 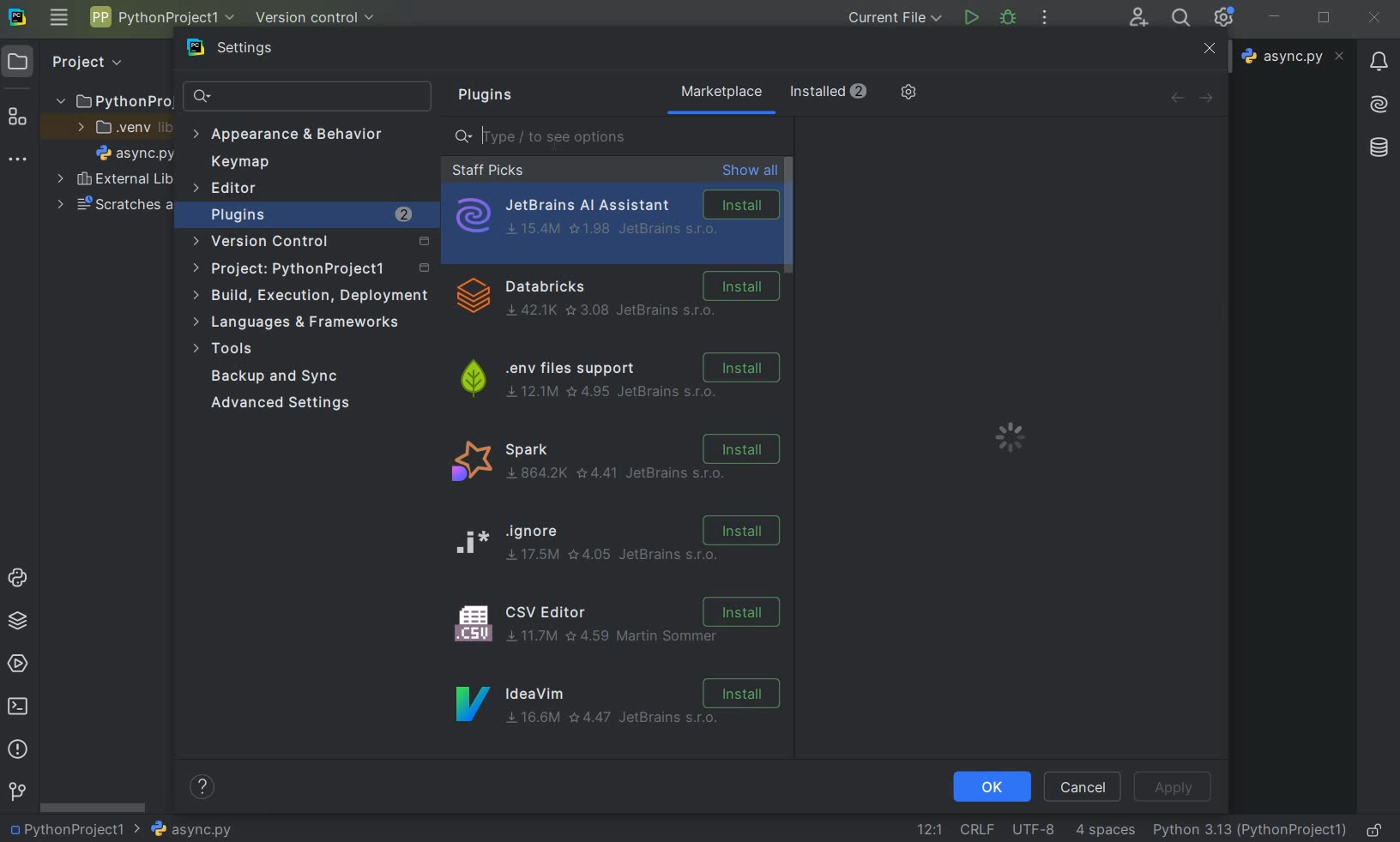 I want to click on IdeaVim, so click(x=618, y=709).